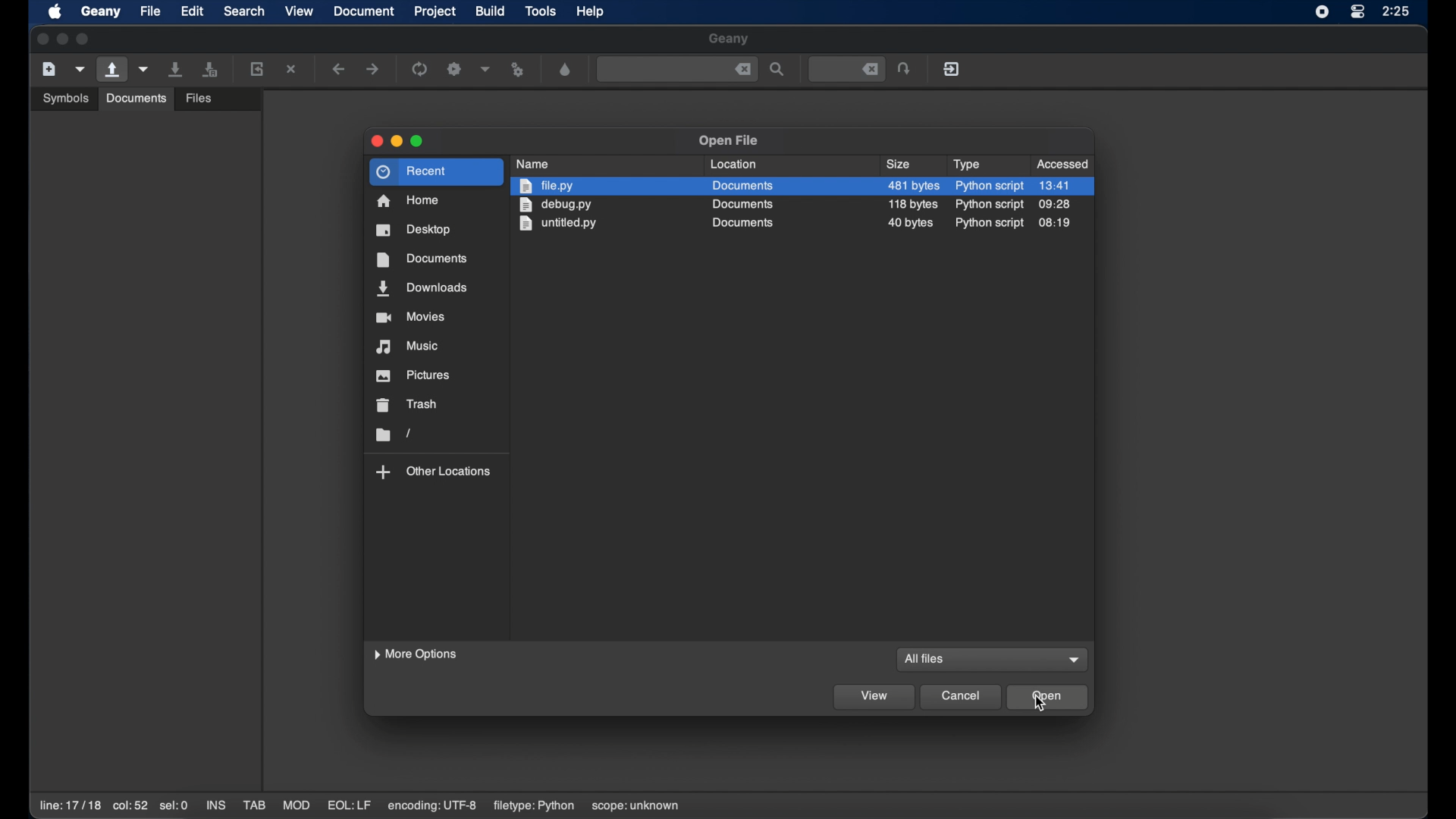  I want to click on create new, so click(49, 68).